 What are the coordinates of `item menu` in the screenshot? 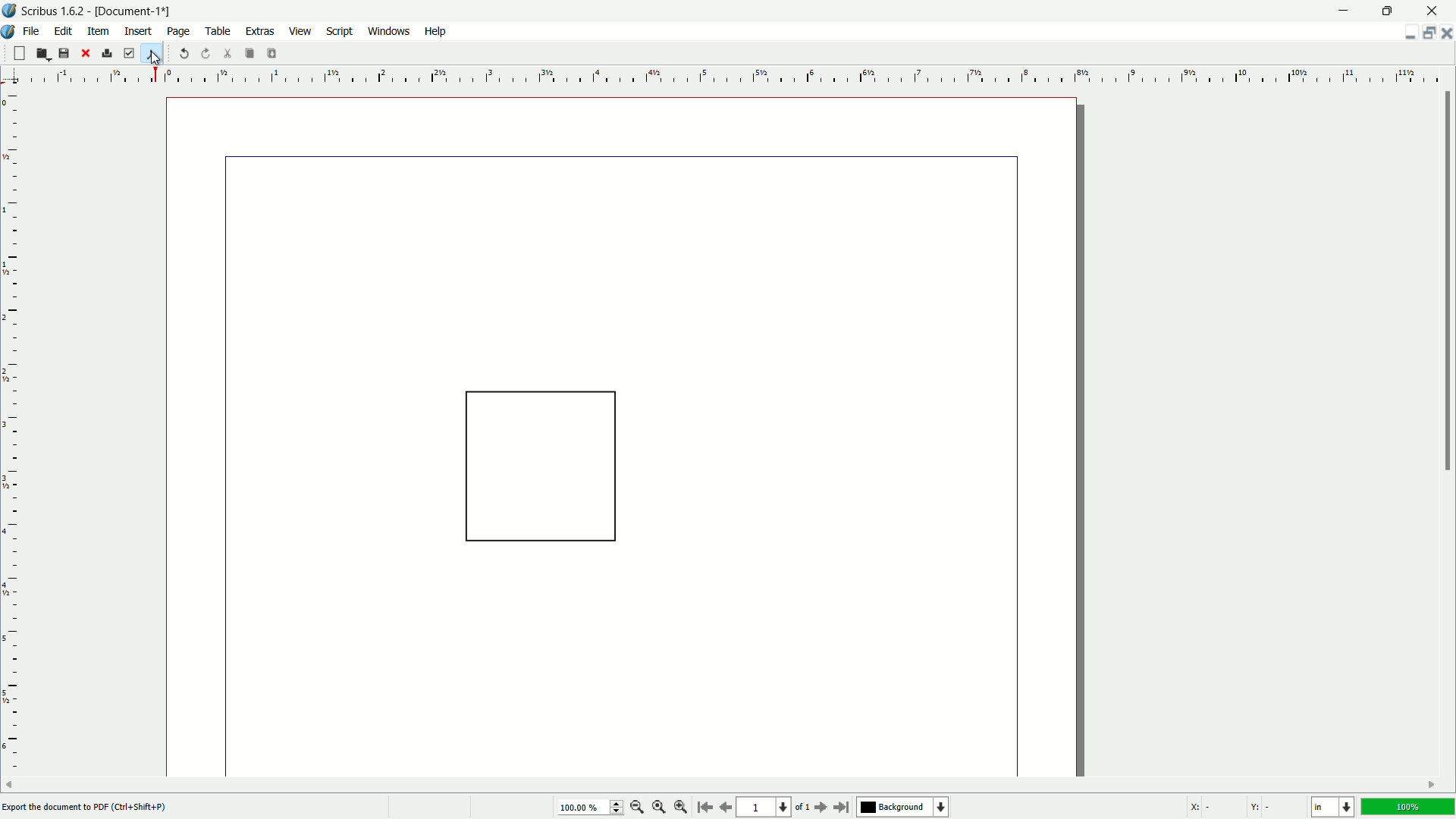 It's located at (98, 33).